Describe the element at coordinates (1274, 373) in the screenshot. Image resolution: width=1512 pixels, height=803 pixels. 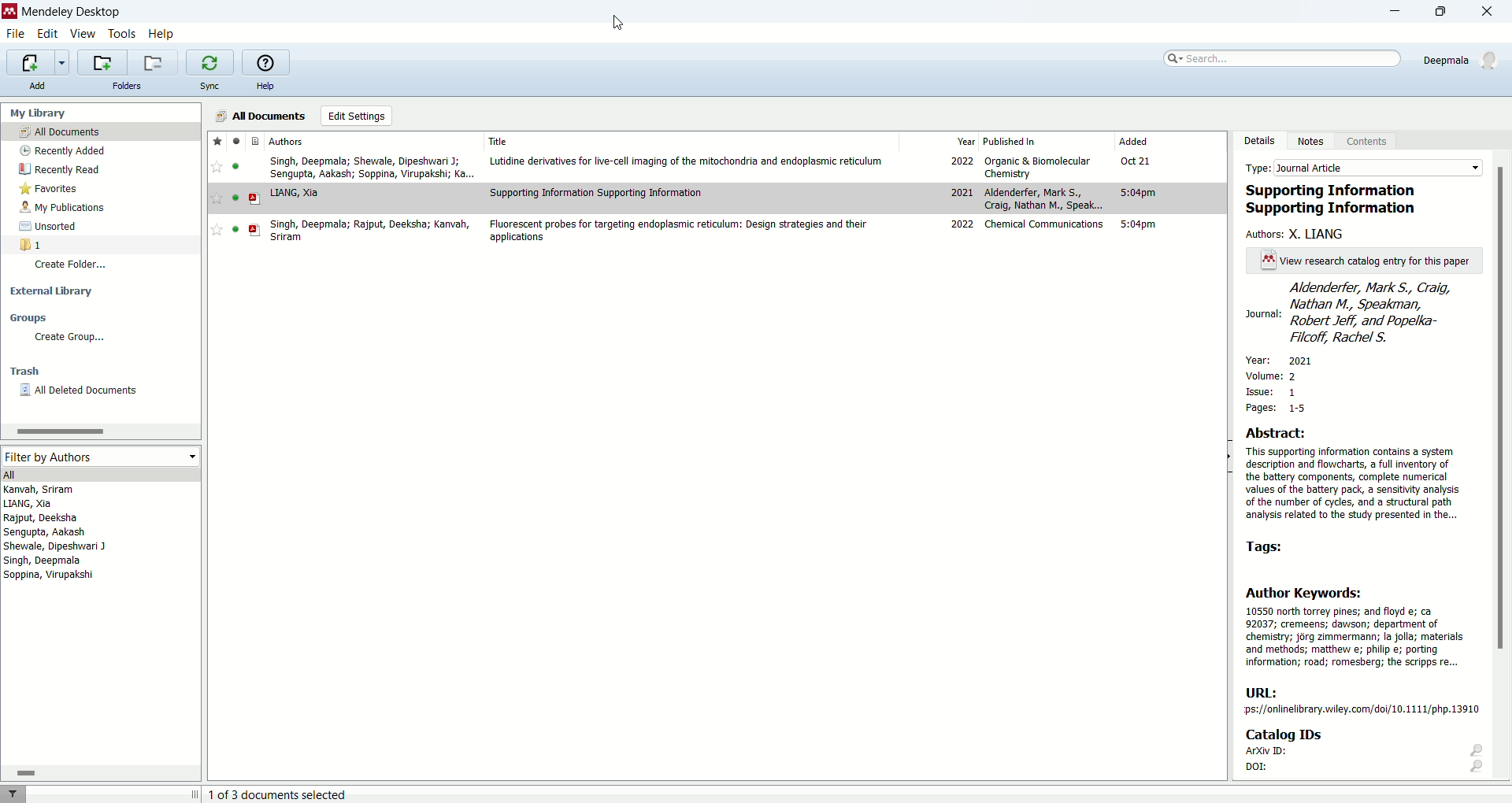
I see `volume: 2` at that location.